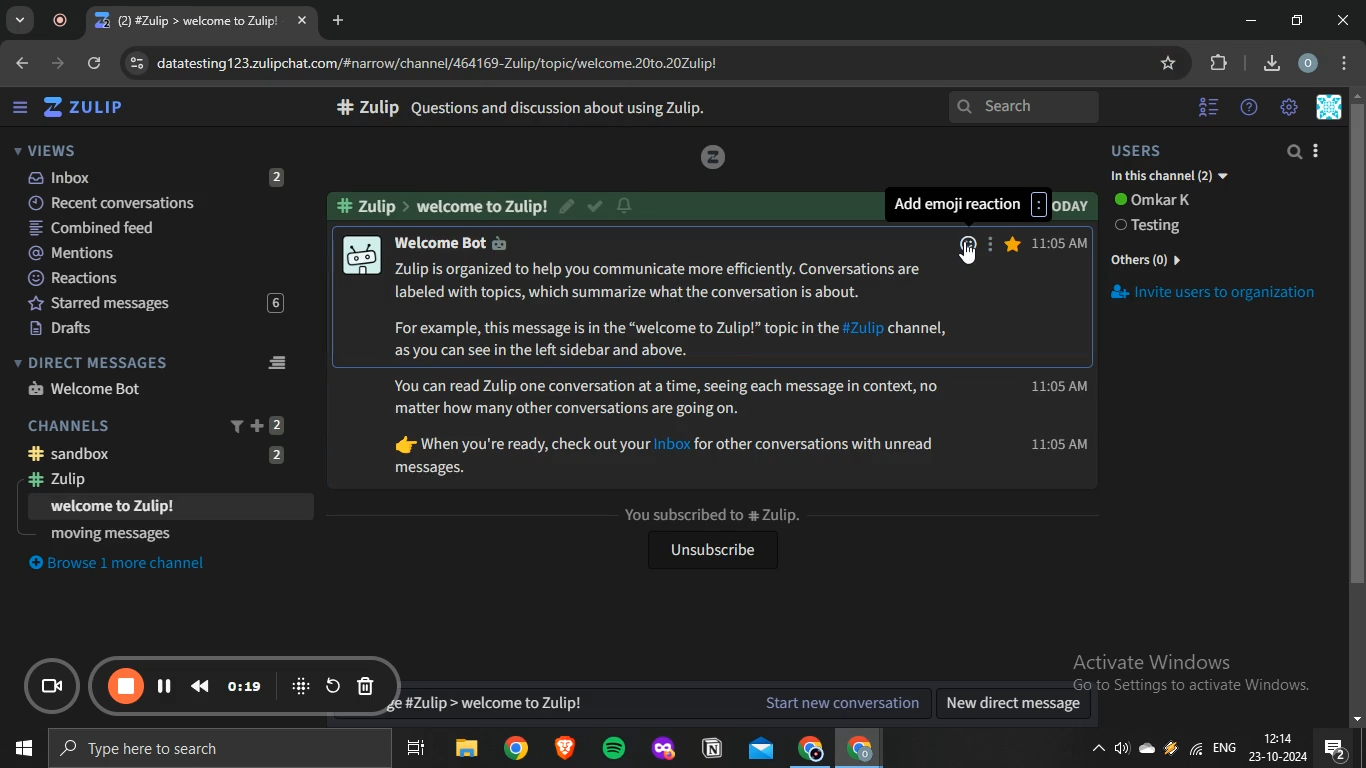 This screenshot has width=1366, height=768. I want to click on timeline, so click(246, 686).